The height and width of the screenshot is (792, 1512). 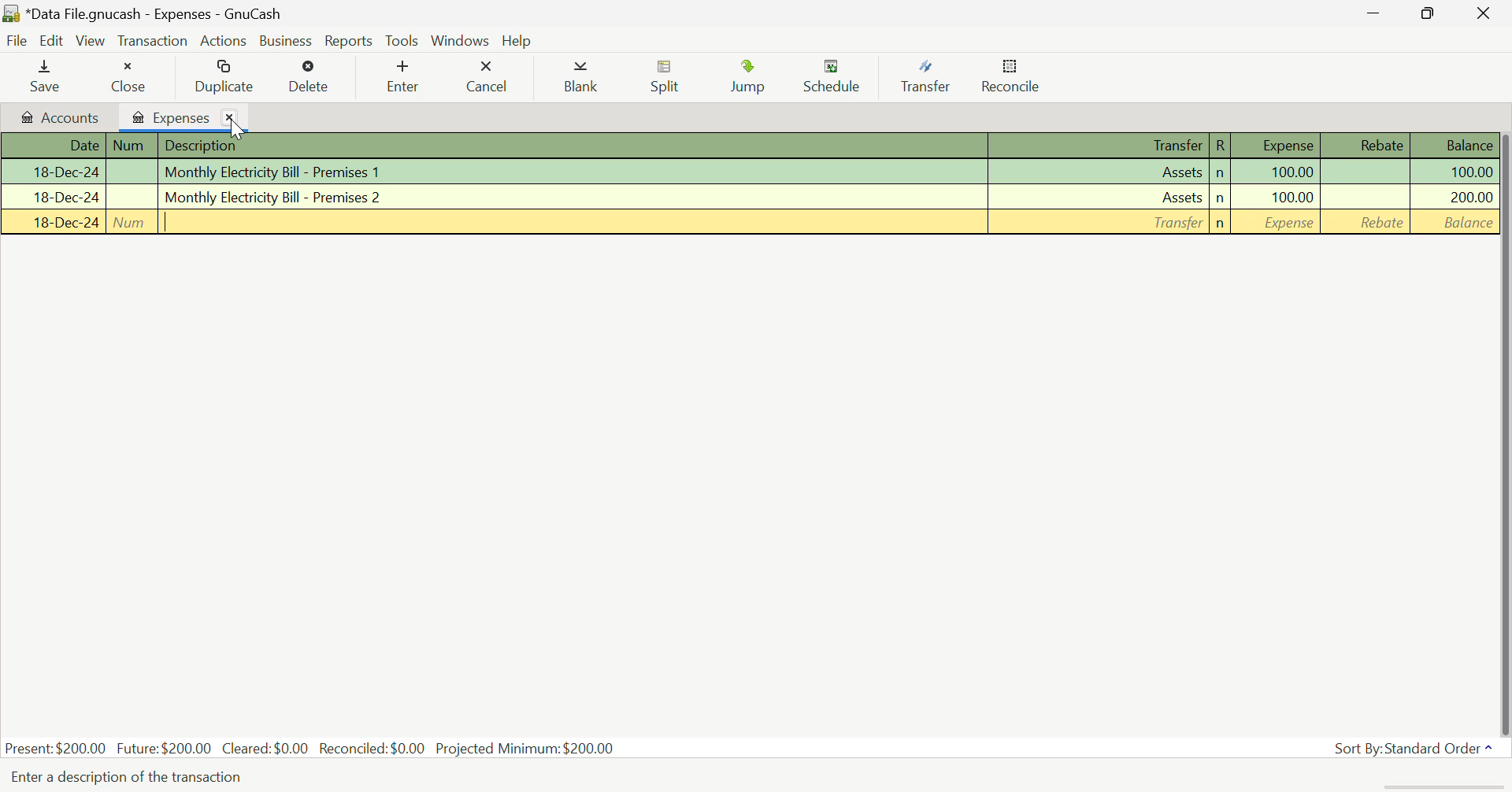 What do you see at coordinates (287, 41) in the screenshot?
I see `Business` at bounding box center [287, 41].